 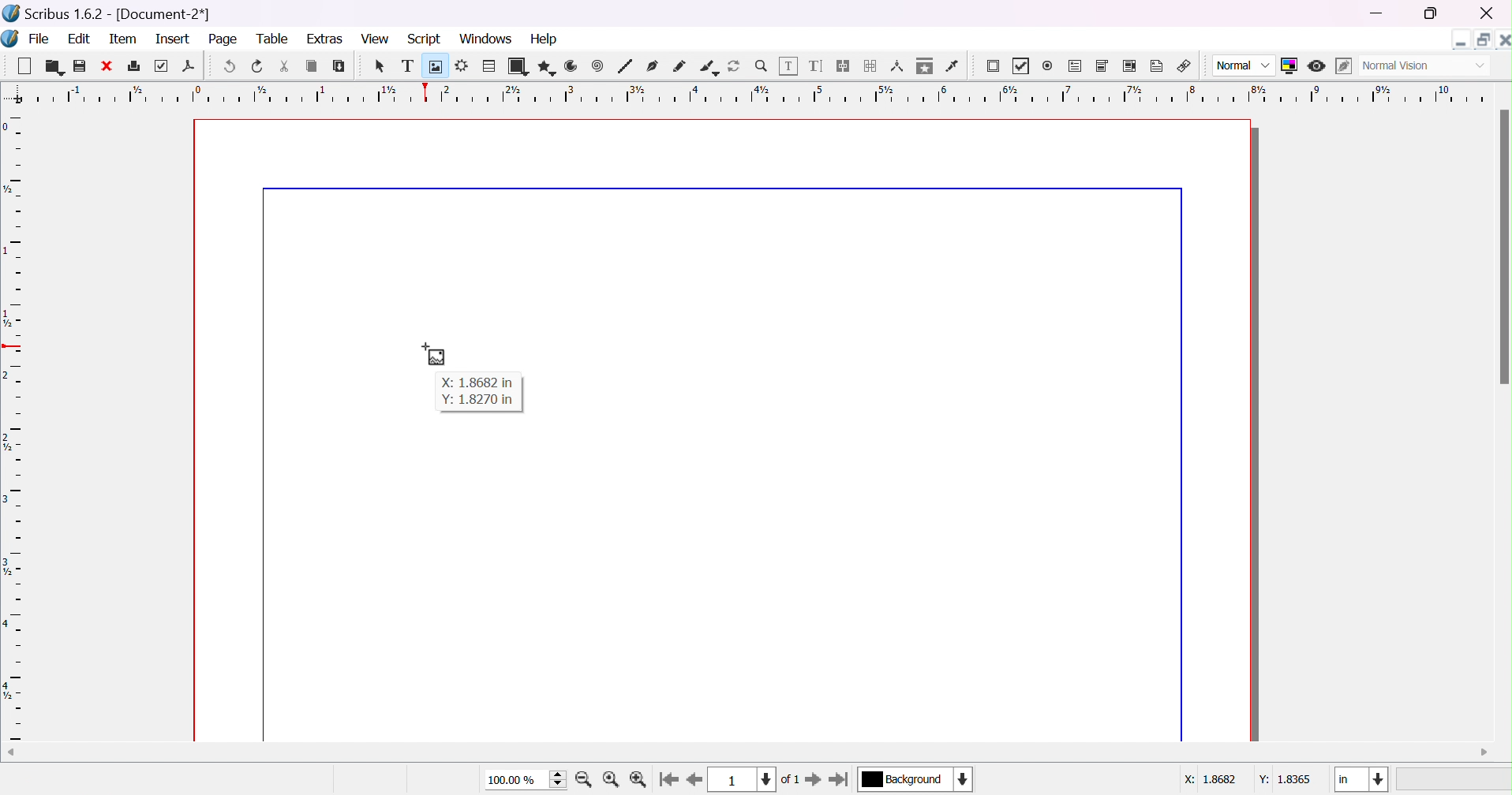 I want to click on windows, so click(x=485, y=40).